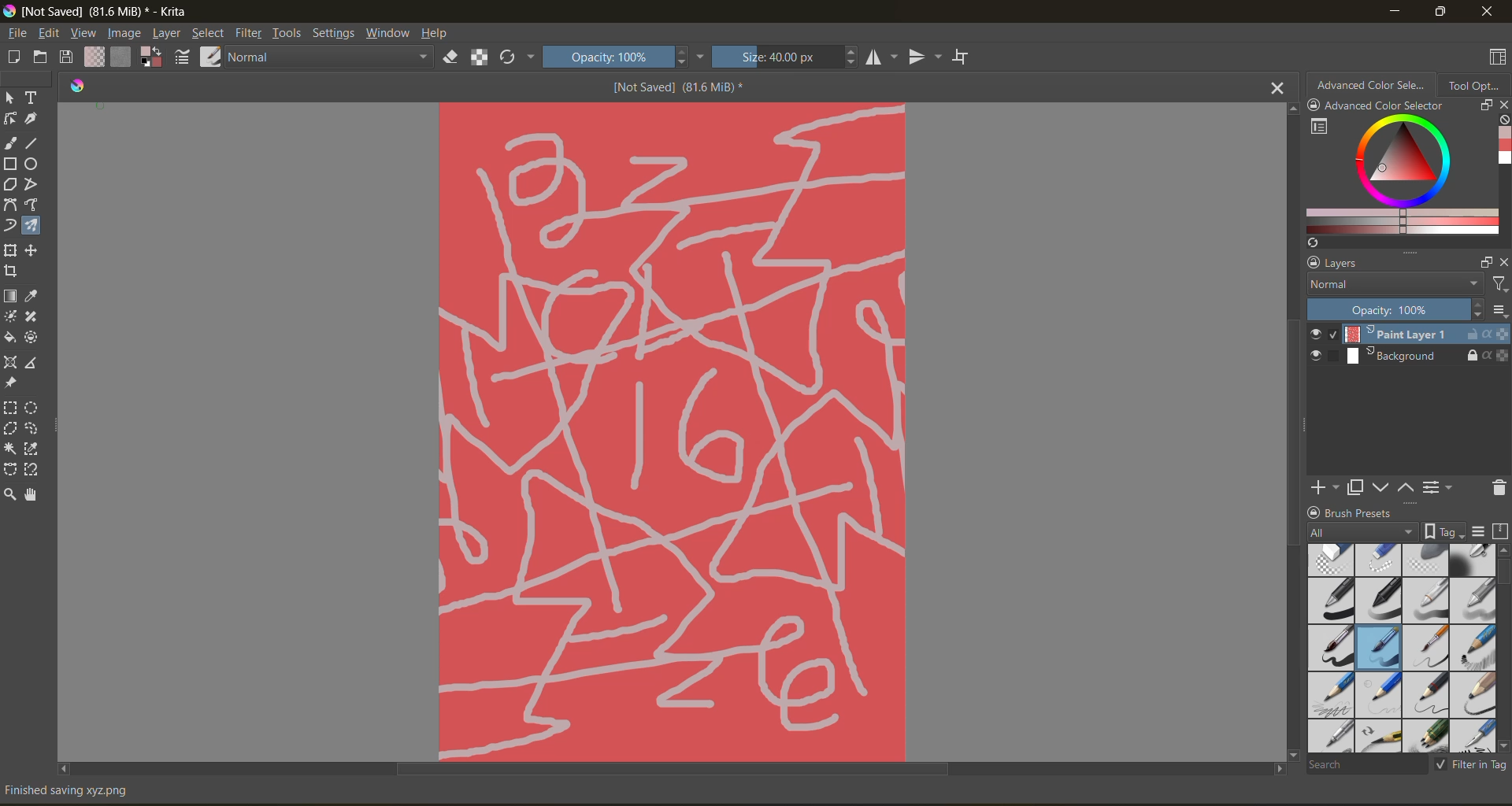 The width and height of the screenshot is (1512, 806). I want to click on tool, so click(36, 142).